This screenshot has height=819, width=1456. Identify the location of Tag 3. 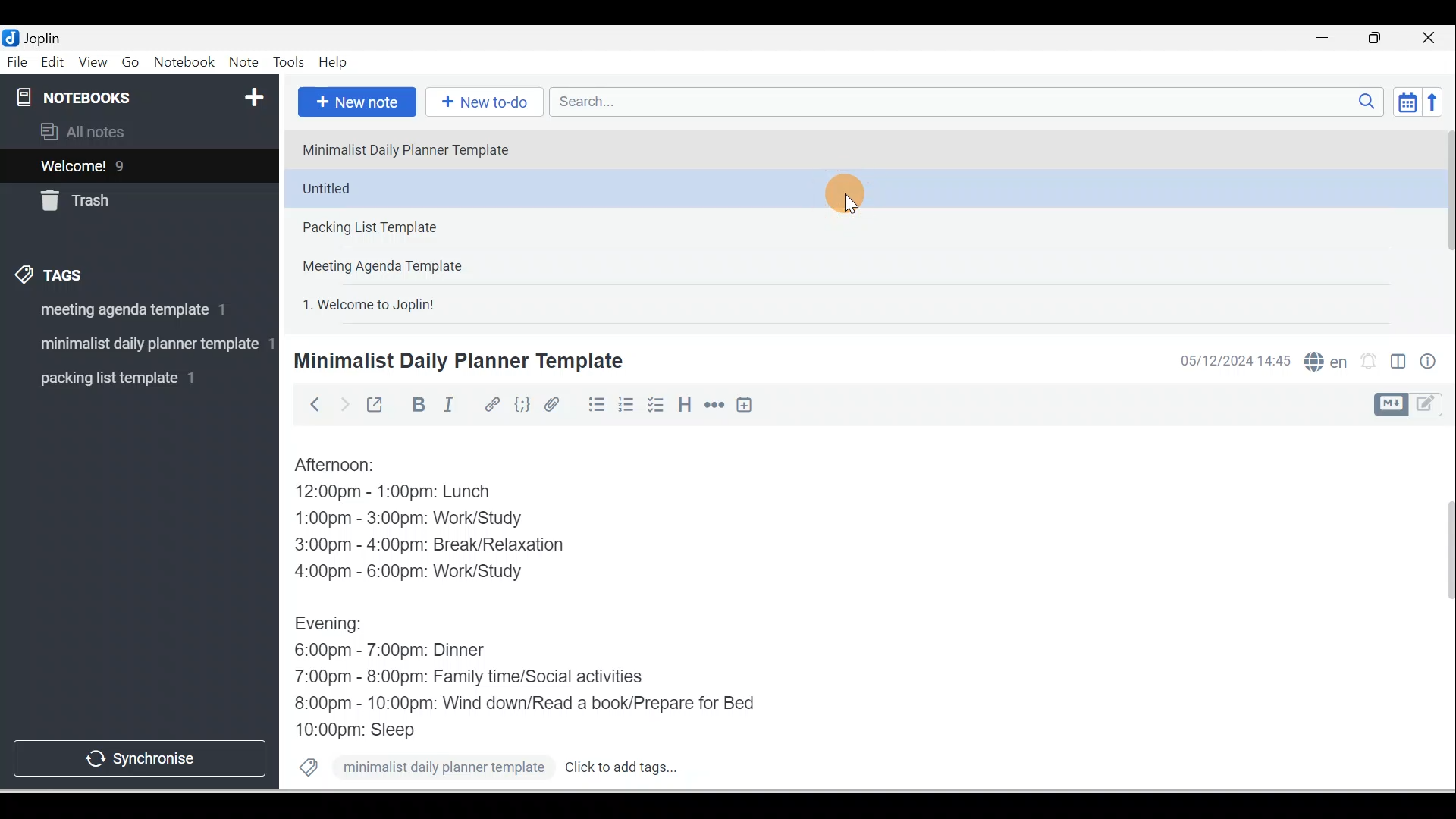
(126, 378).